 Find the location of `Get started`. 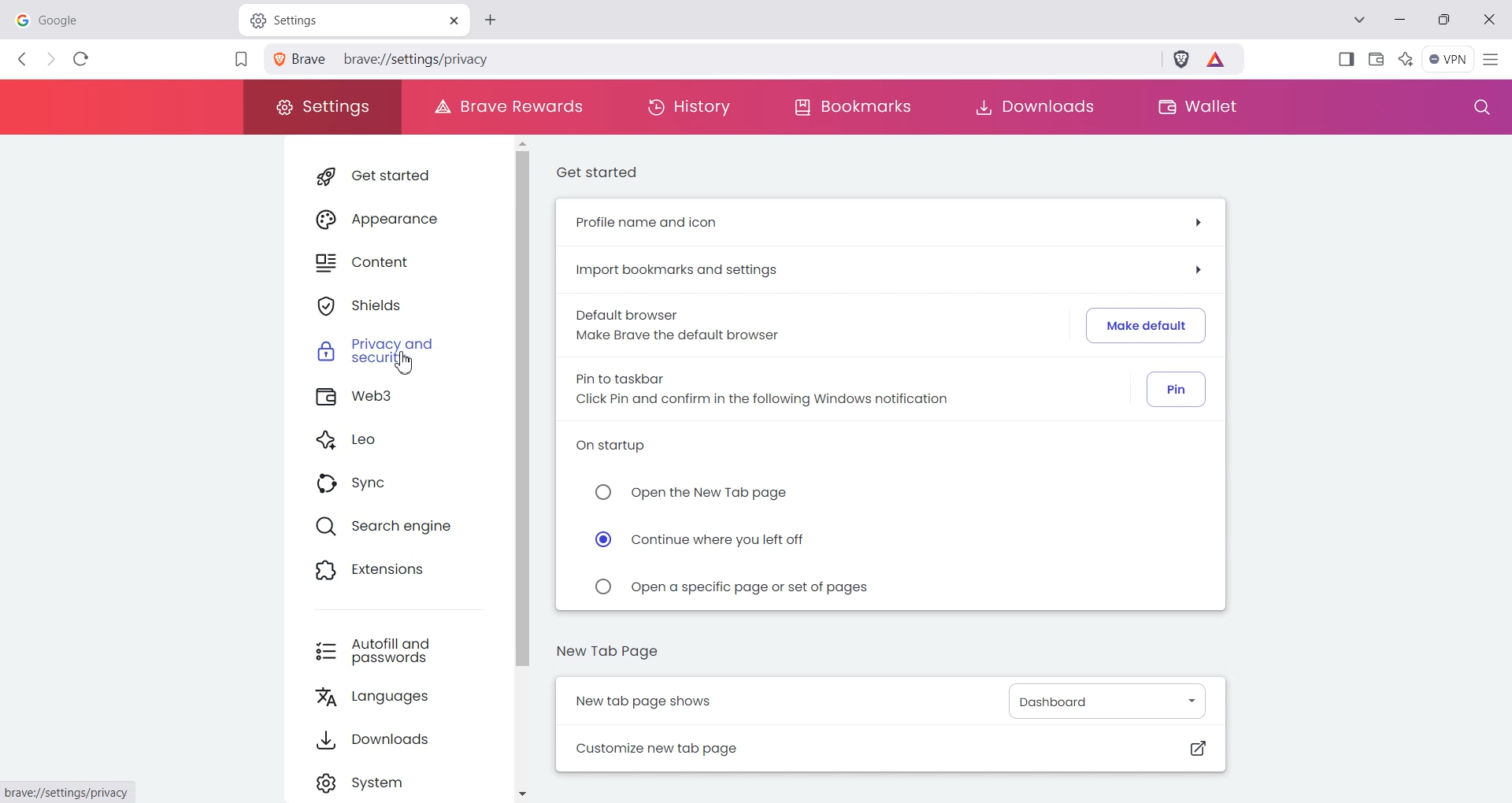

Get started is located at coordinates (387, 176).